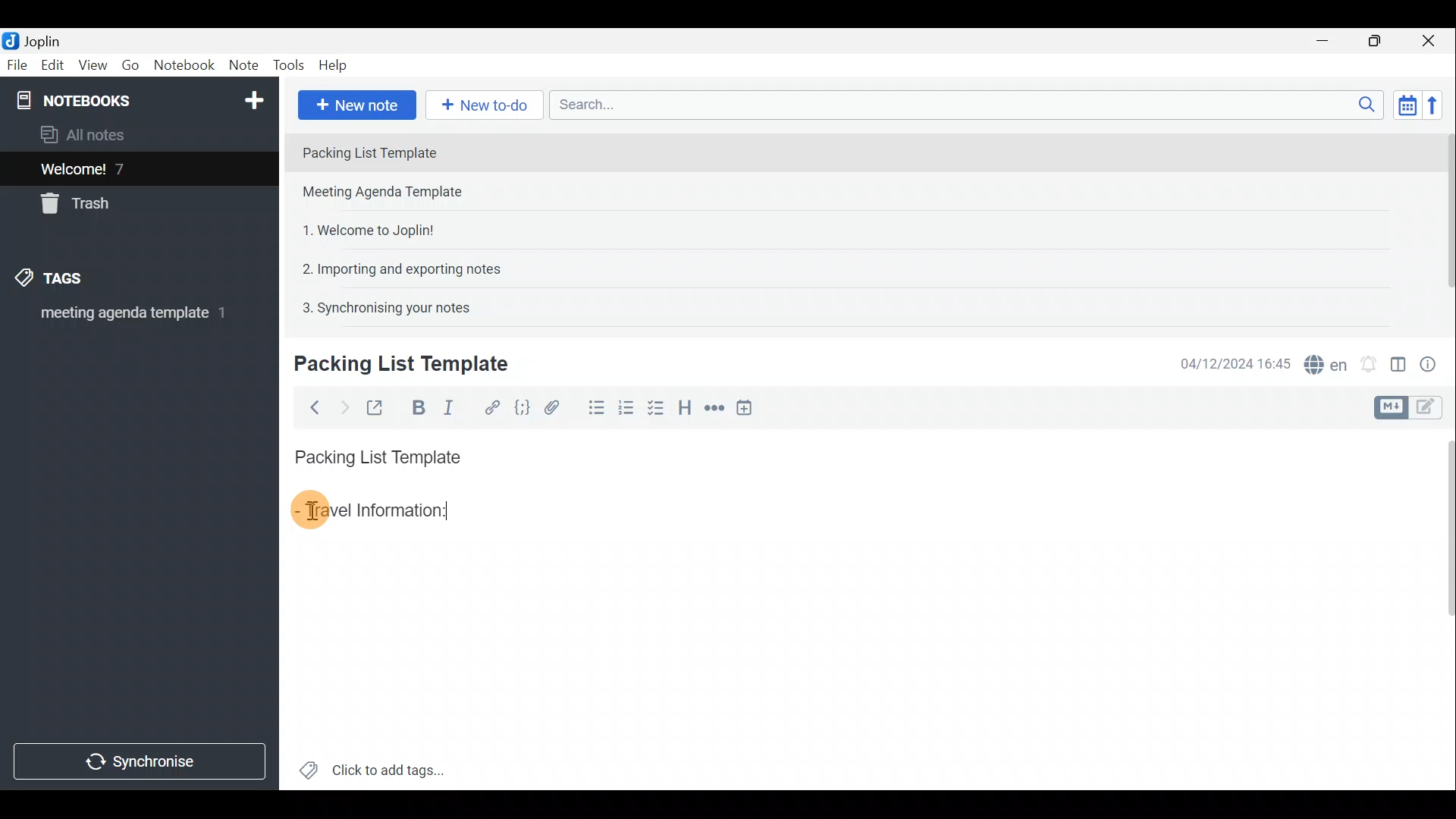  I want to click on Close, so click(1433, 40).